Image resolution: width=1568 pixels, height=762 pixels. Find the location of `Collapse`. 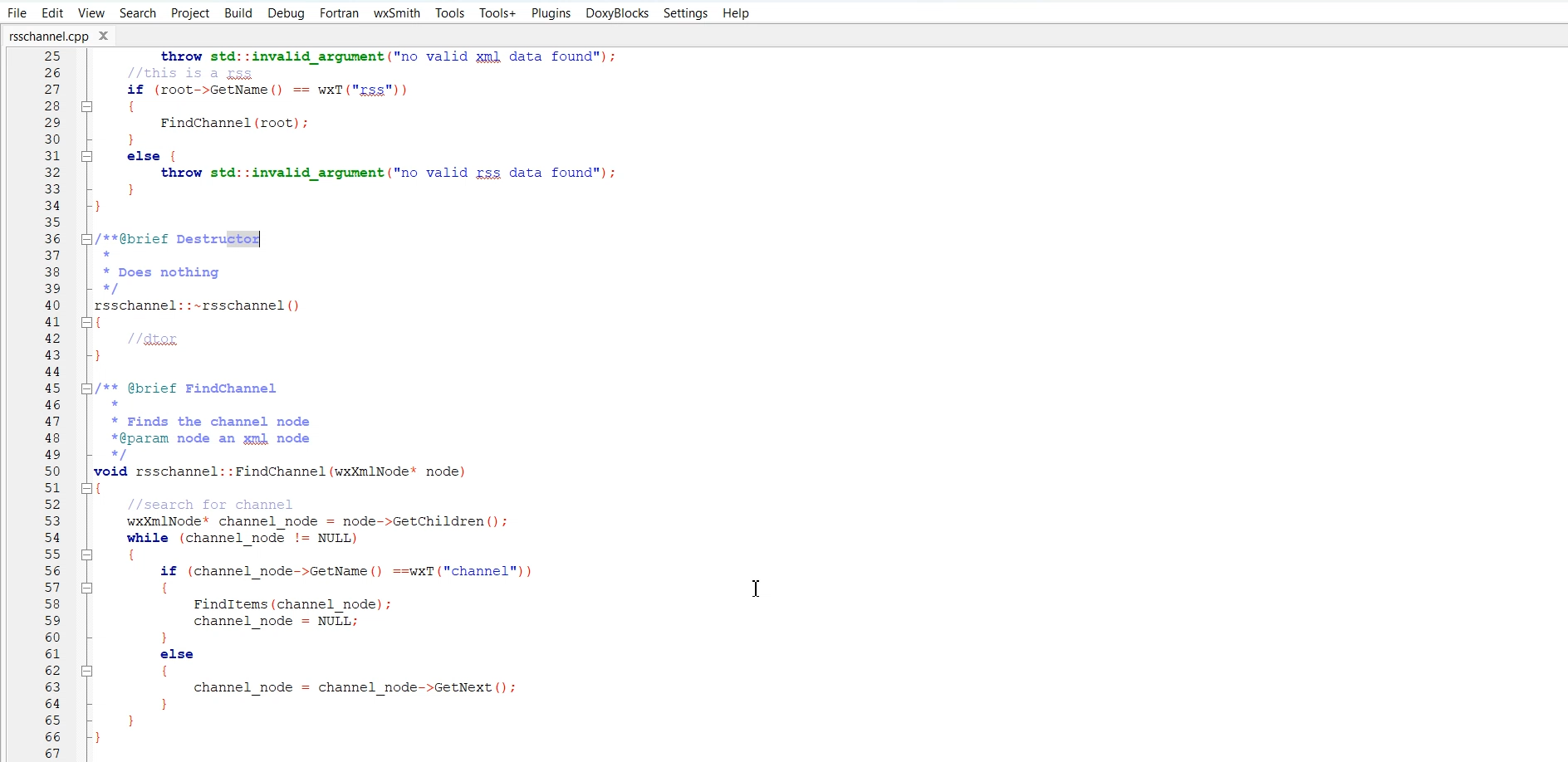

Collapse is located at coordinates (87, 157).